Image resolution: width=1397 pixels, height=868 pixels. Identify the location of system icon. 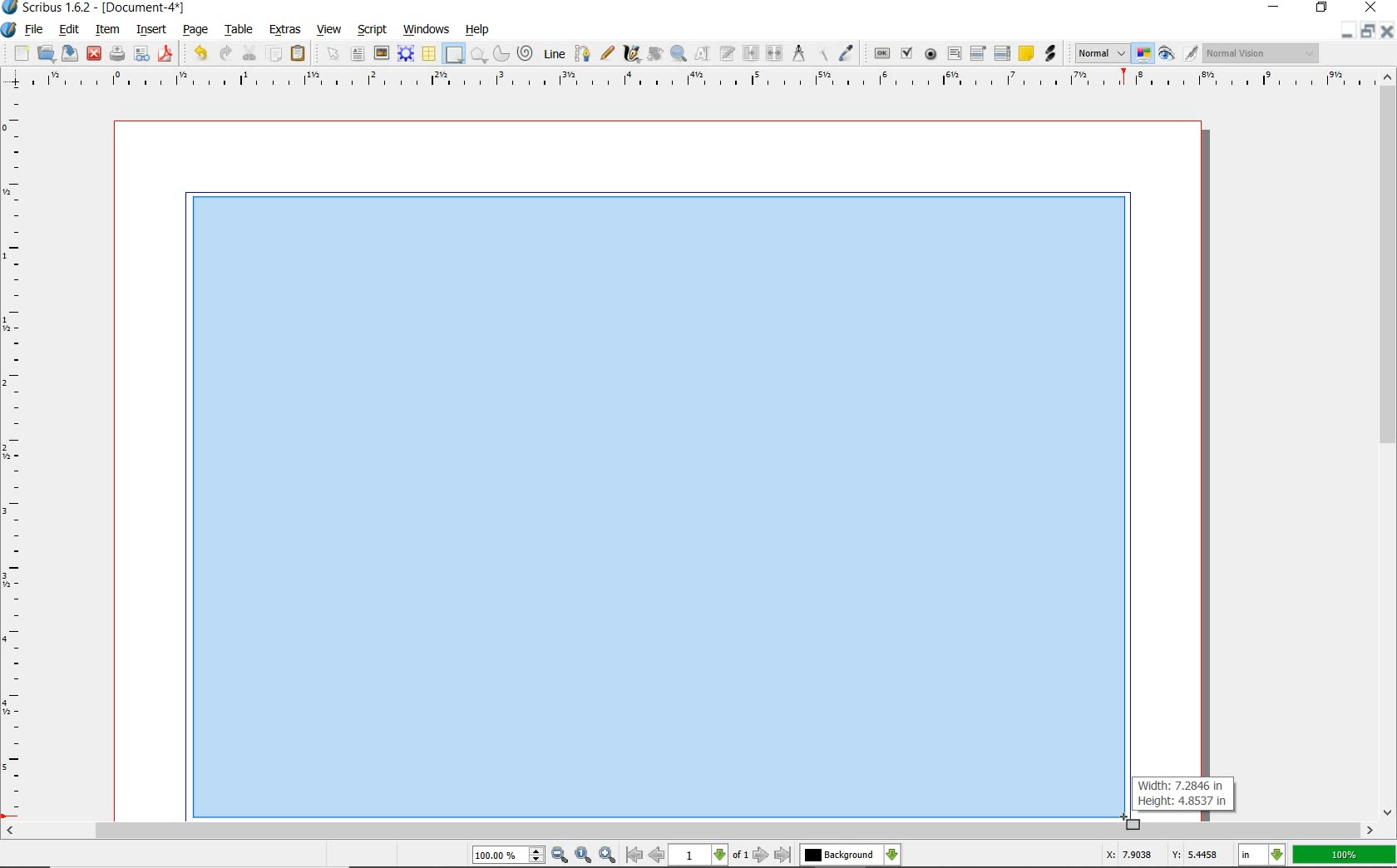
(9, 29).